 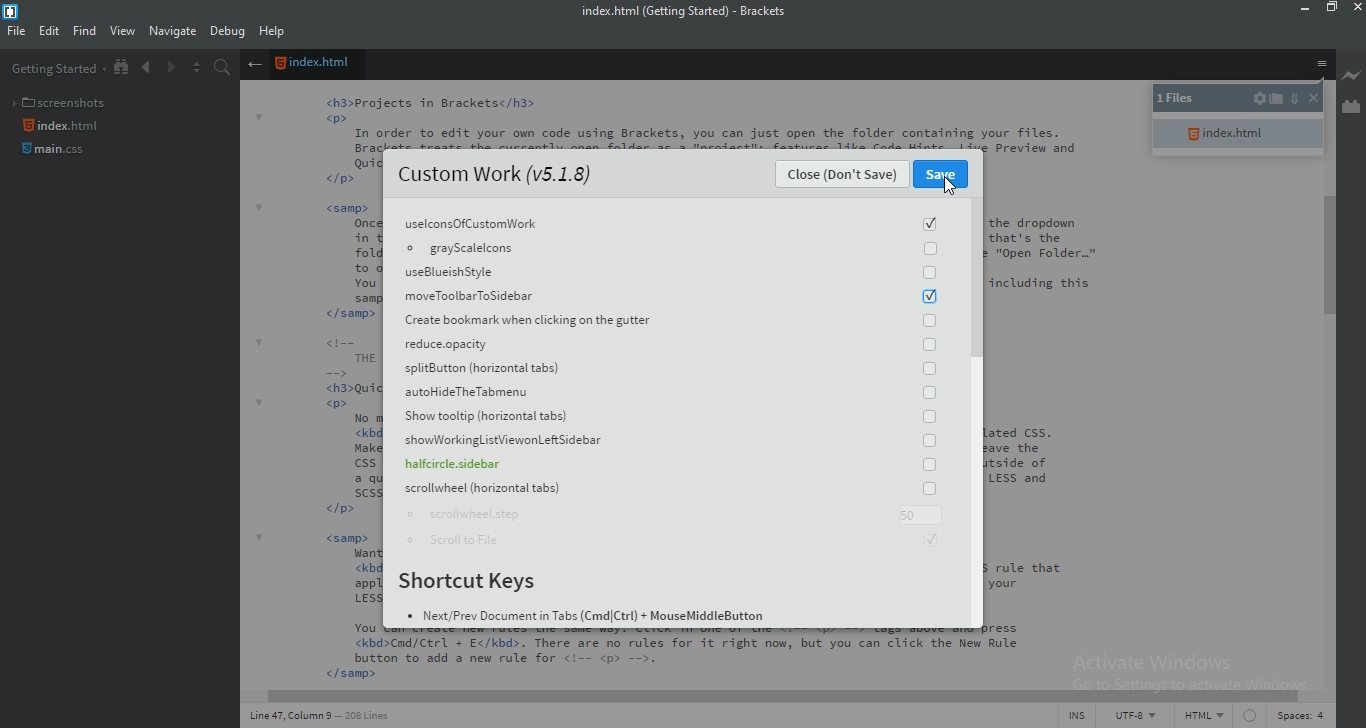 I want to click on scrollwheel horizontal tabs, so click(x=664, y=490).